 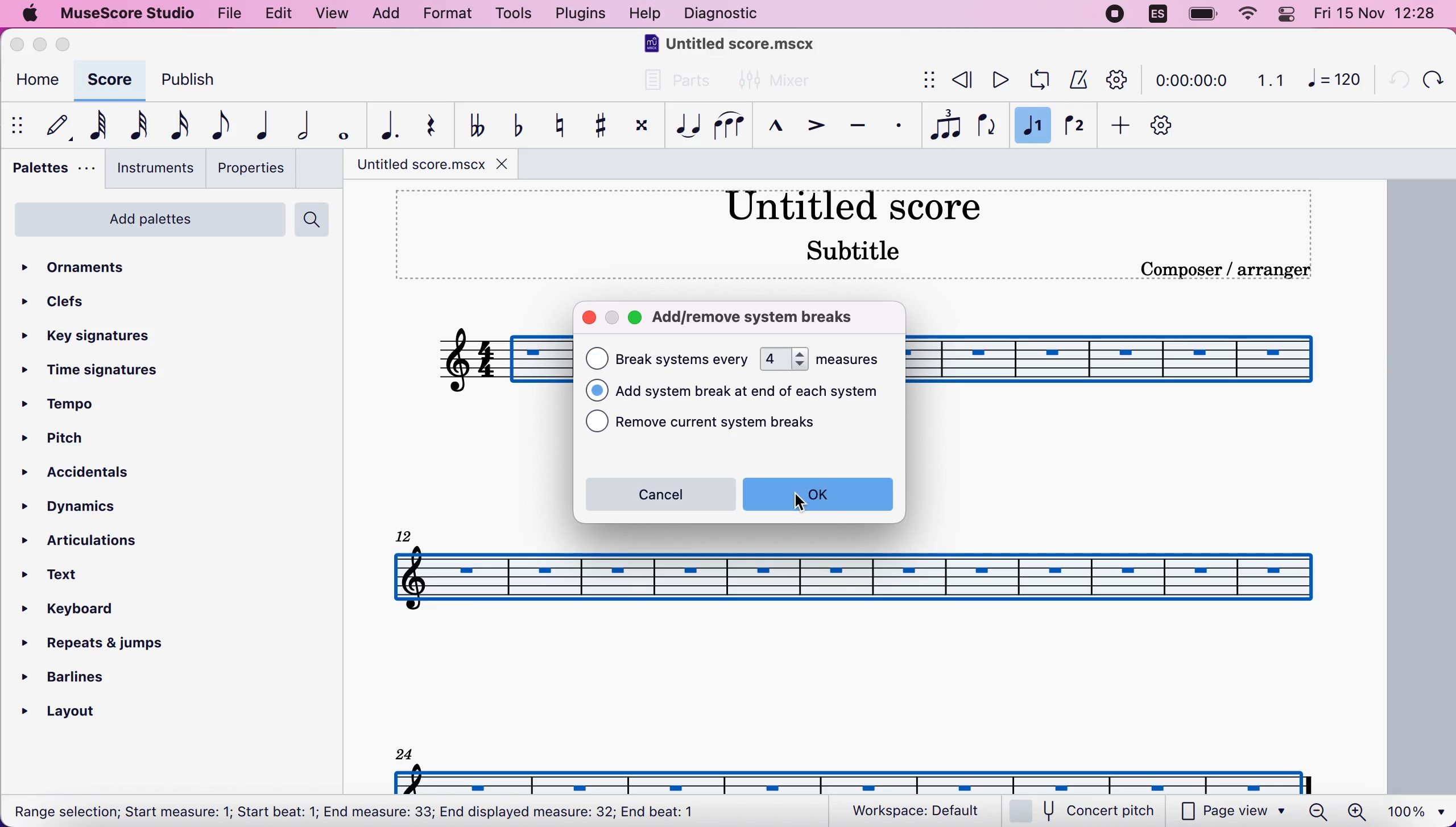 What do you see at coordinates (447, 15) in the screenshot?
I see `format` at bounding box center [447, 15].